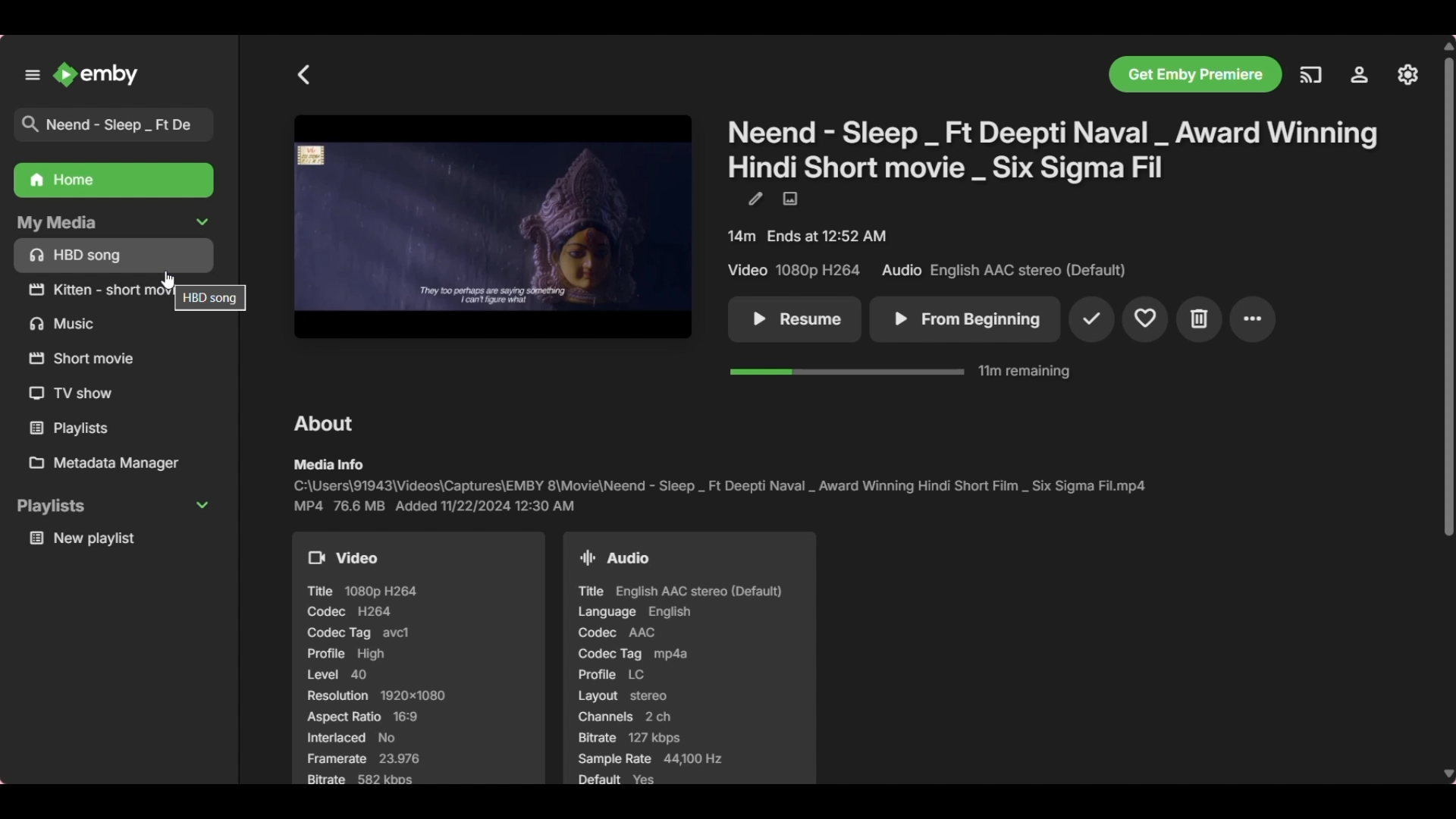  Describe the element at coordinates (1092, 319) in the screenshot. I see `Mark played` at that location.